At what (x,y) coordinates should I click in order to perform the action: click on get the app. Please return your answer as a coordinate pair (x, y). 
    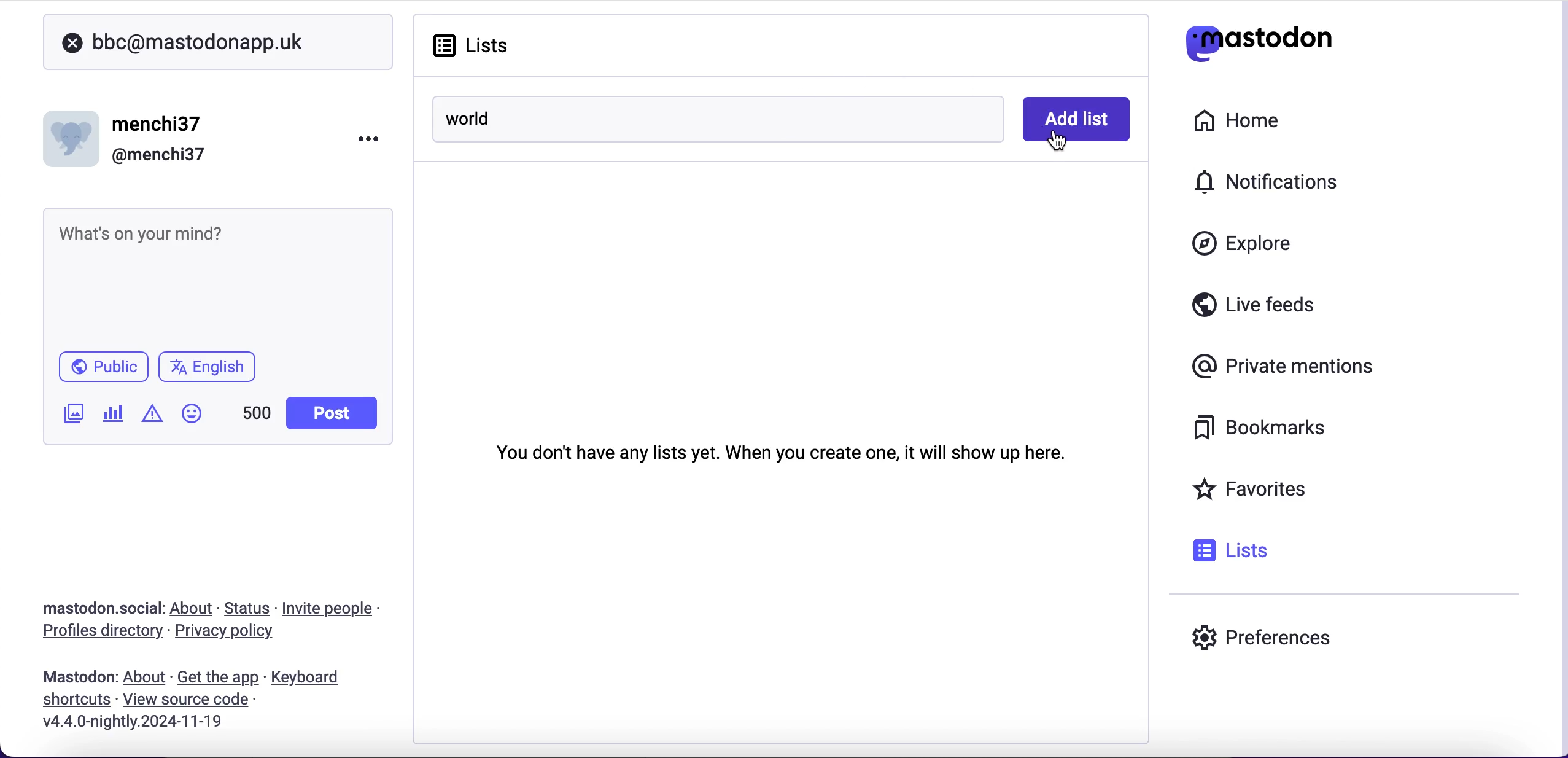
    Looking at the image, I should click on (217, 677).